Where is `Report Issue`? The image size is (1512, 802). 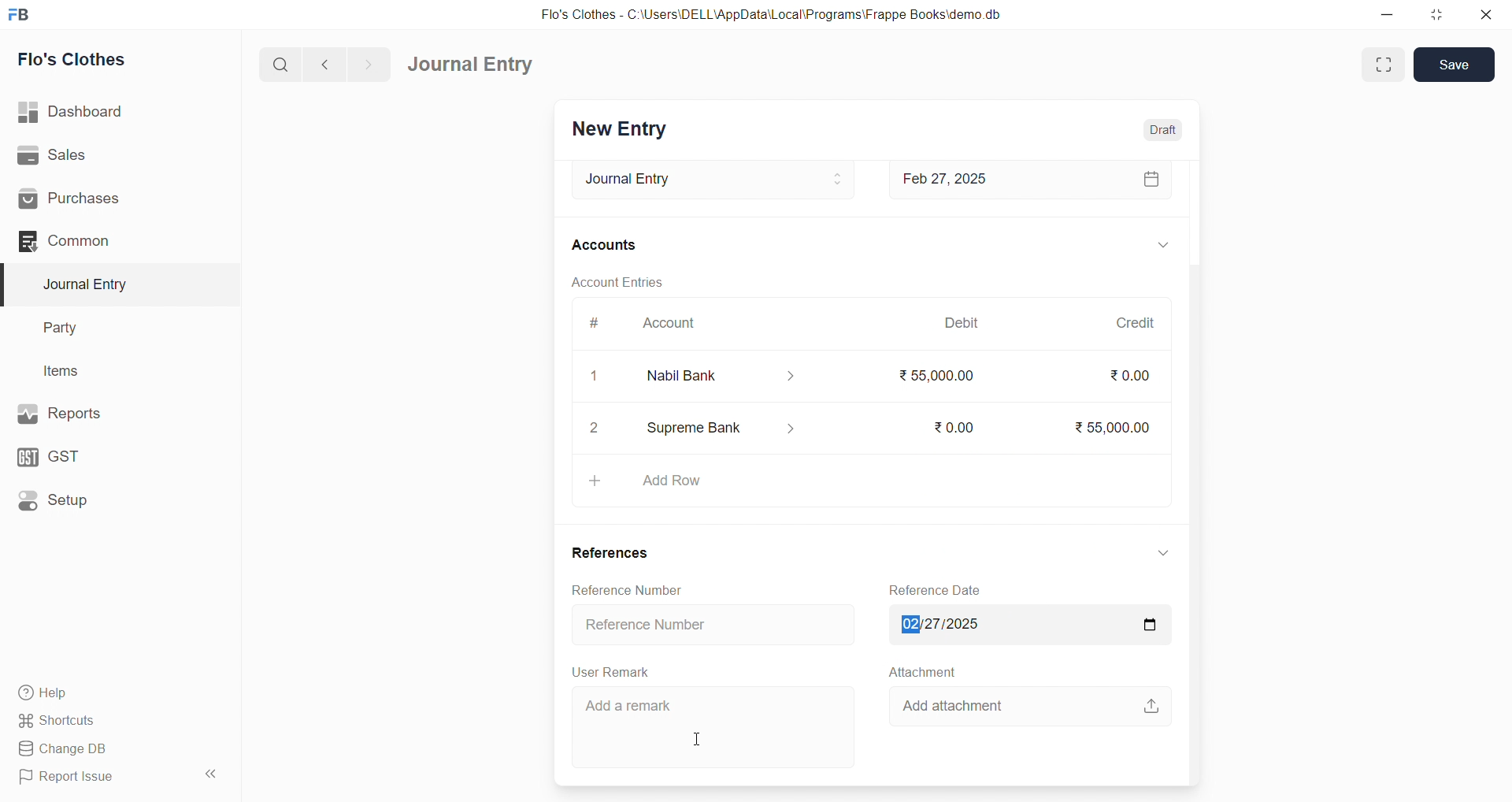
Report Issue is located at coordinates (94, 780).